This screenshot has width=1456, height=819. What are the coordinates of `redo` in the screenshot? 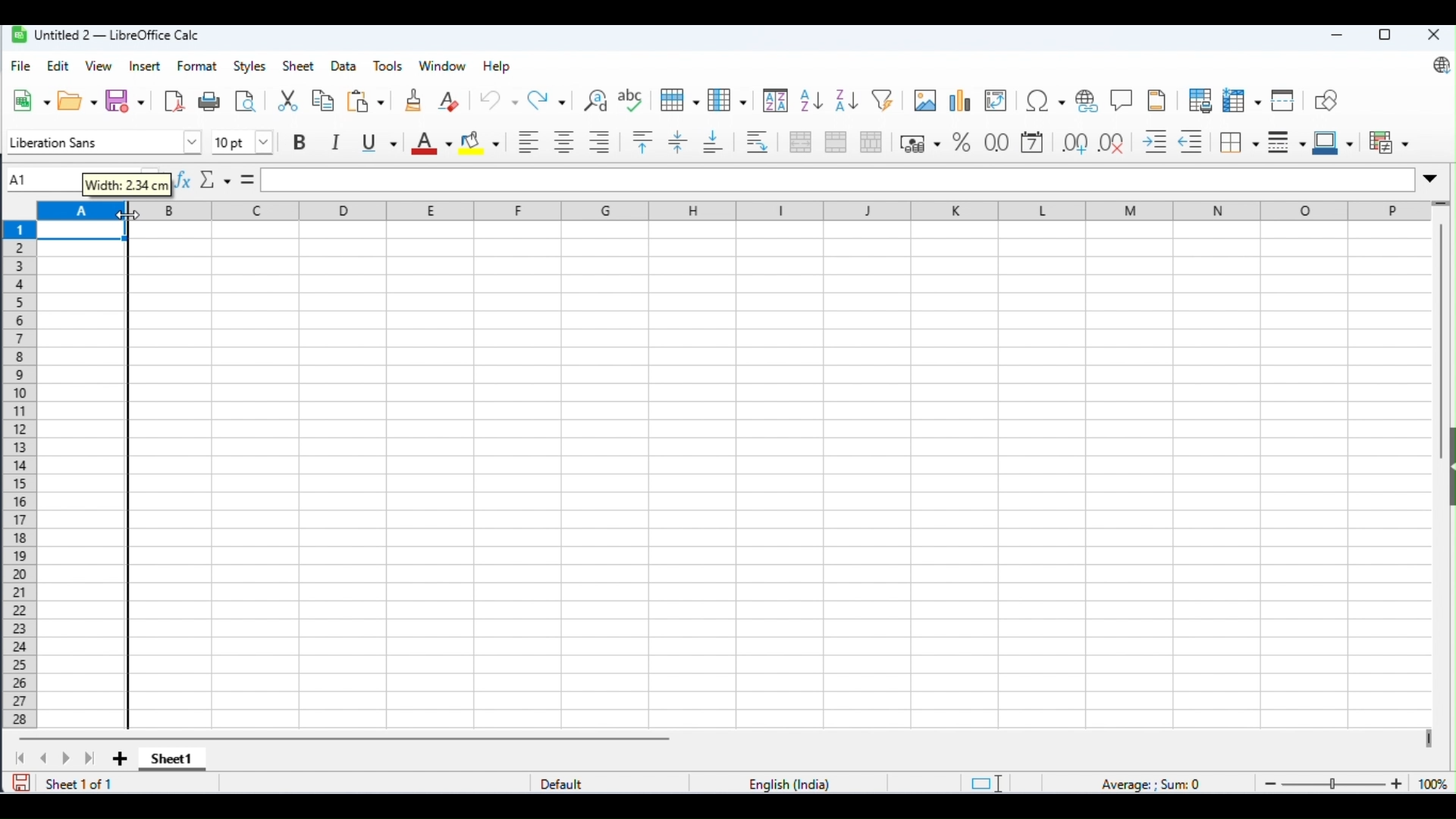 It's located at (549, 99).